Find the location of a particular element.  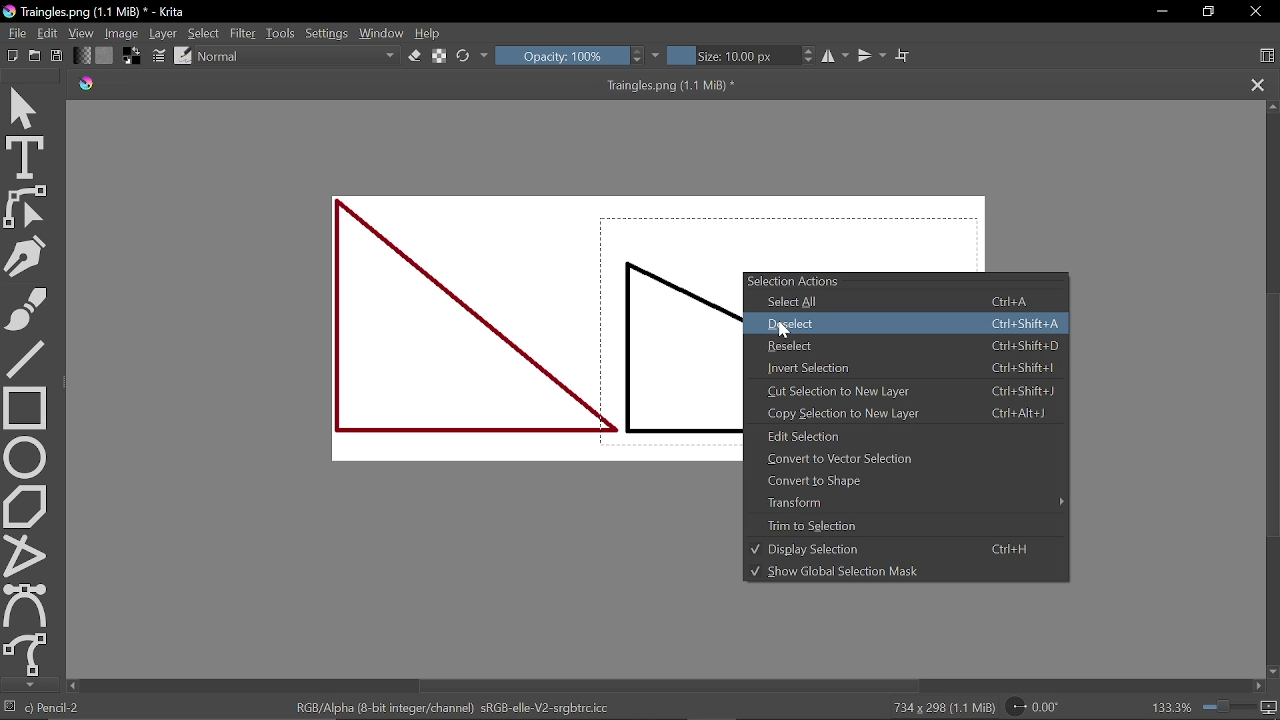

Trim to selection is located at coordinates (905, 525).